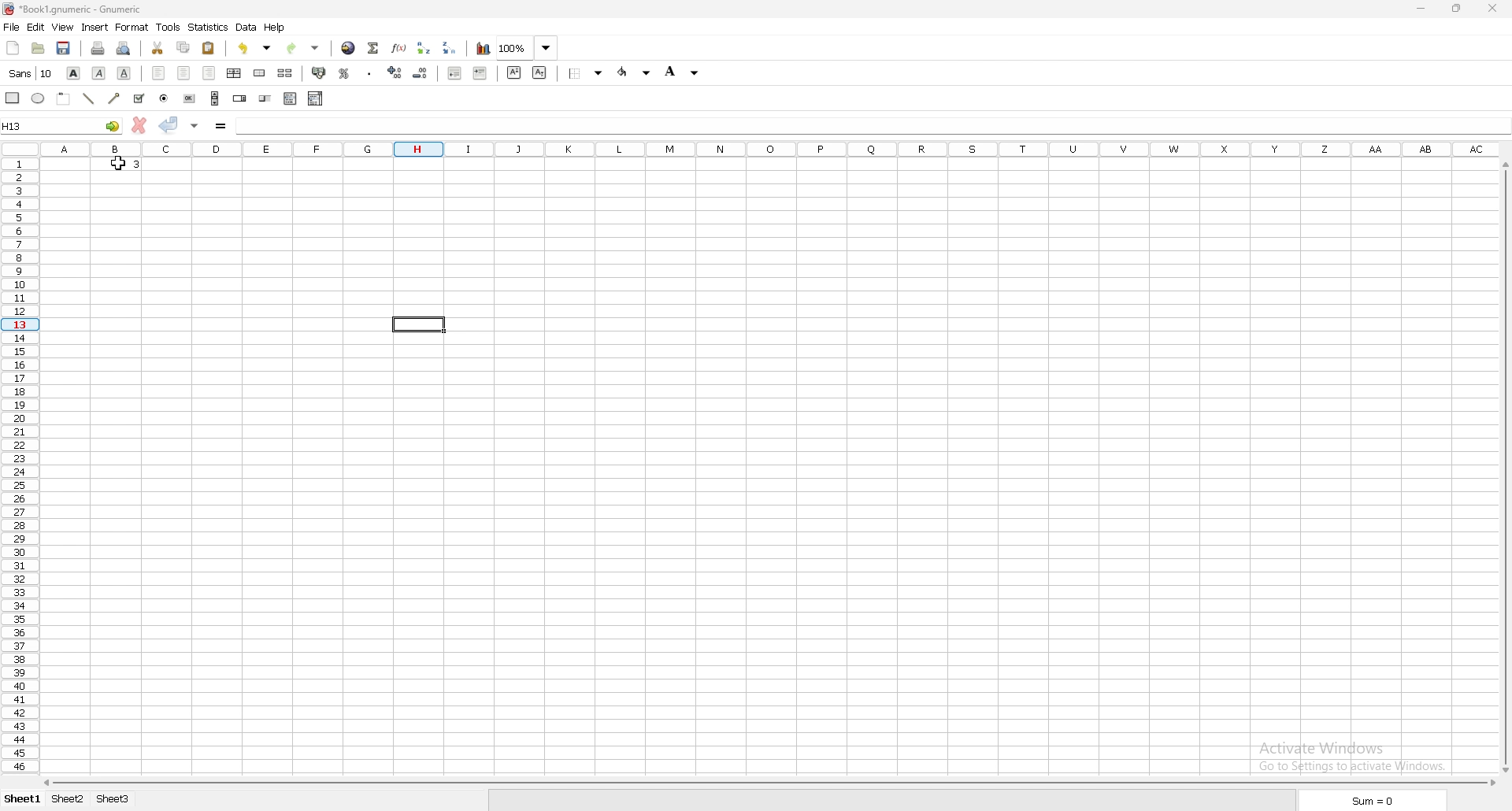  I want to click on combo box, so click(317, 98).